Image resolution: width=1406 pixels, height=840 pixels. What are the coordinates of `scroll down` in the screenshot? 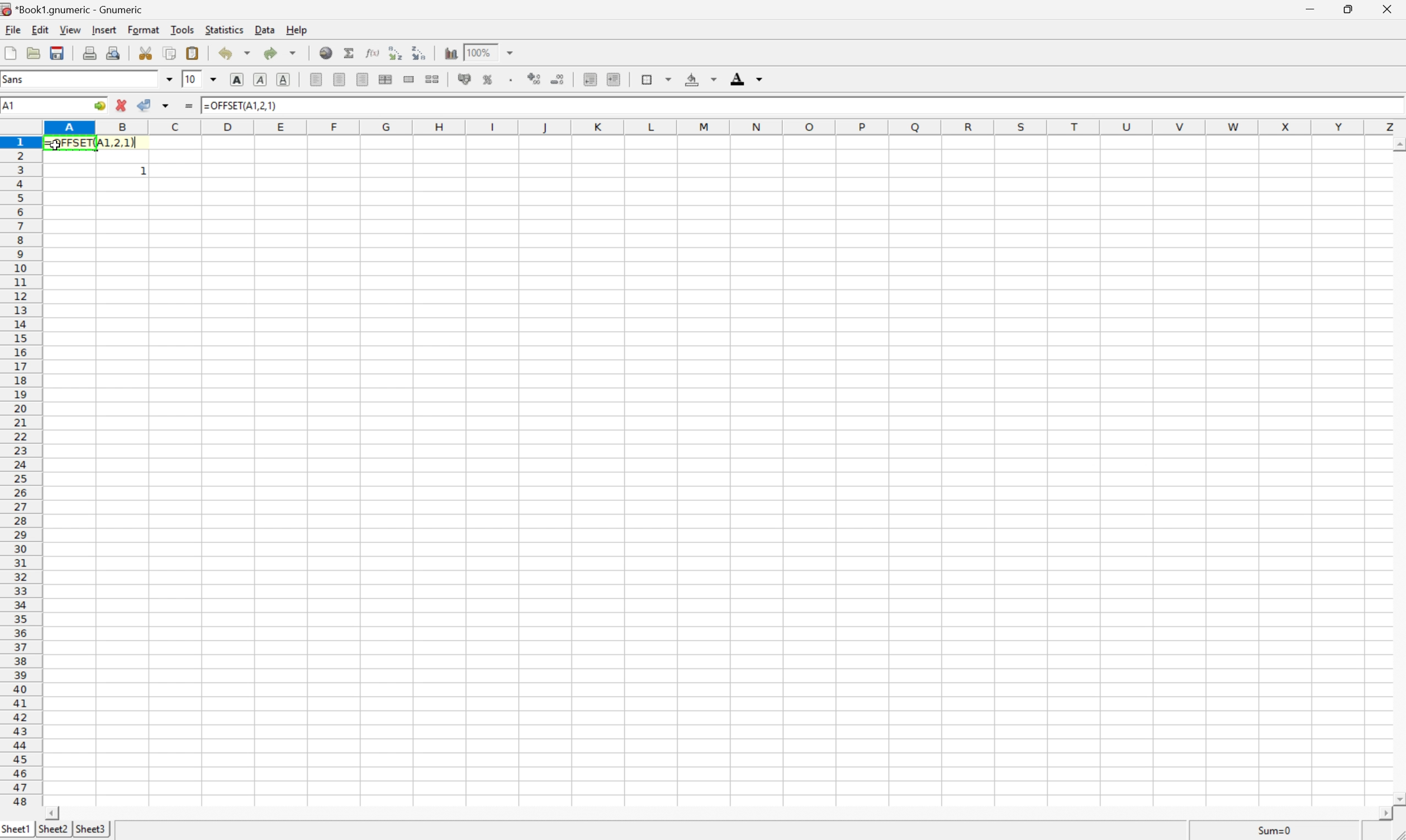 It's located at (1397, 800).